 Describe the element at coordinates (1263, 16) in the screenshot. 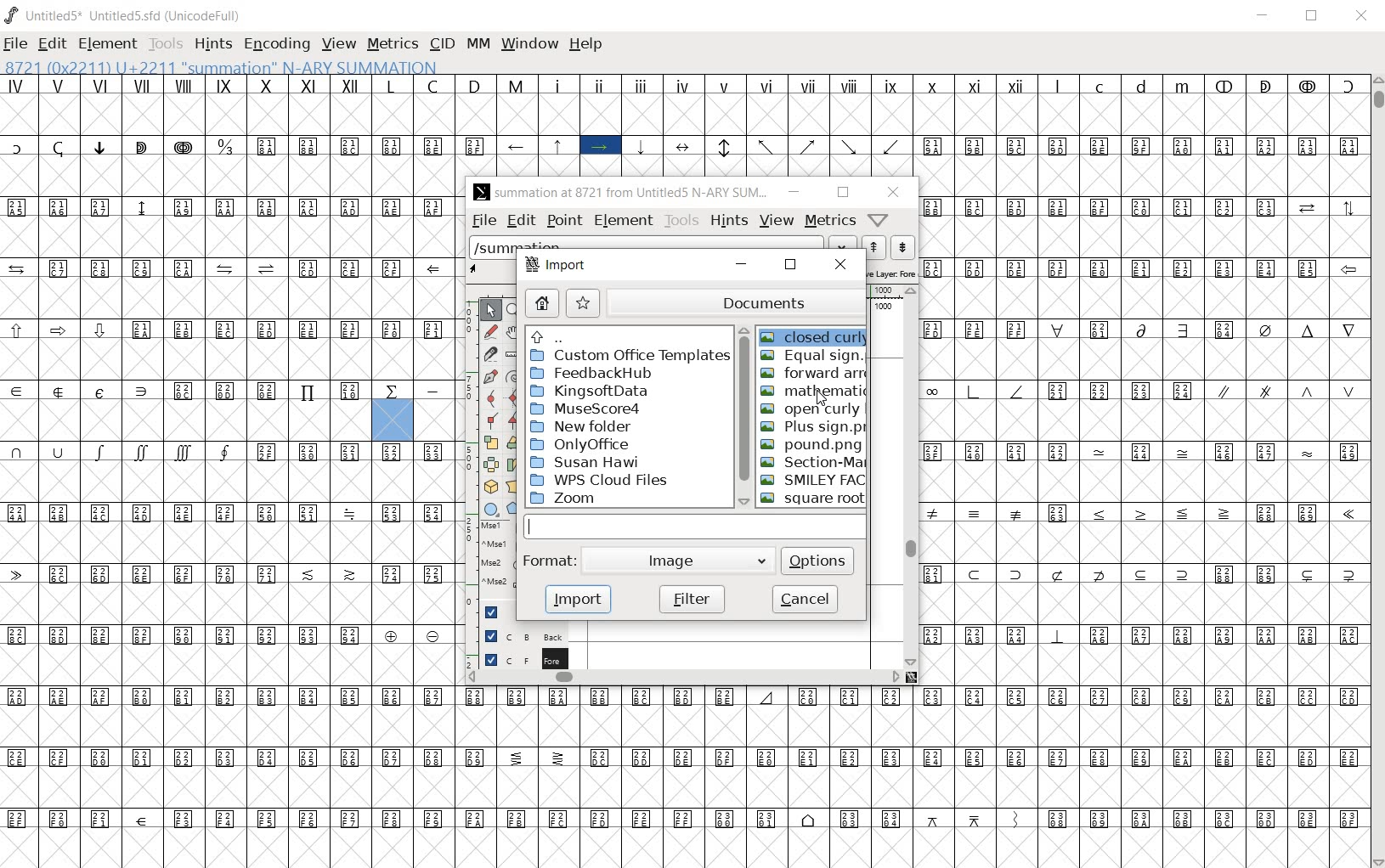

I see `MINIMIZE` at that location.